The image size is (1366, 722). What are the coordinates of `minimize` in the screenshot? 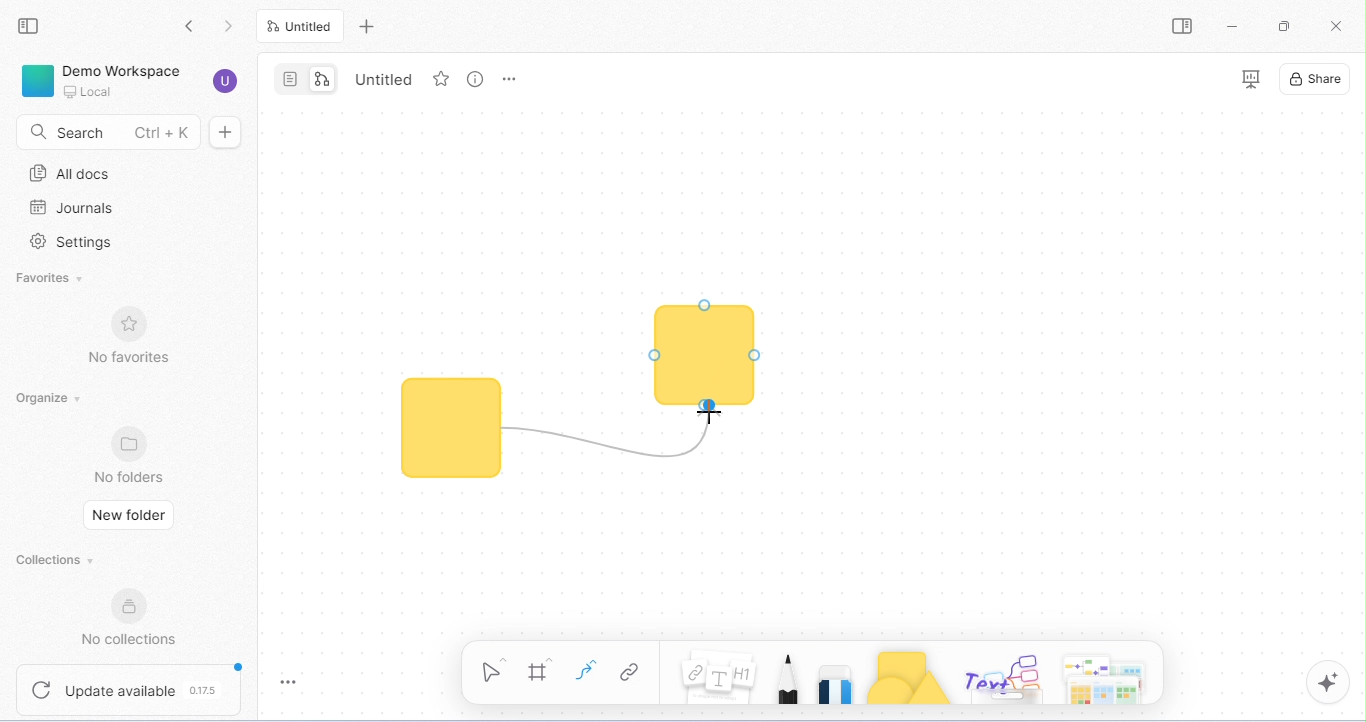 It's located at (1232, 25).